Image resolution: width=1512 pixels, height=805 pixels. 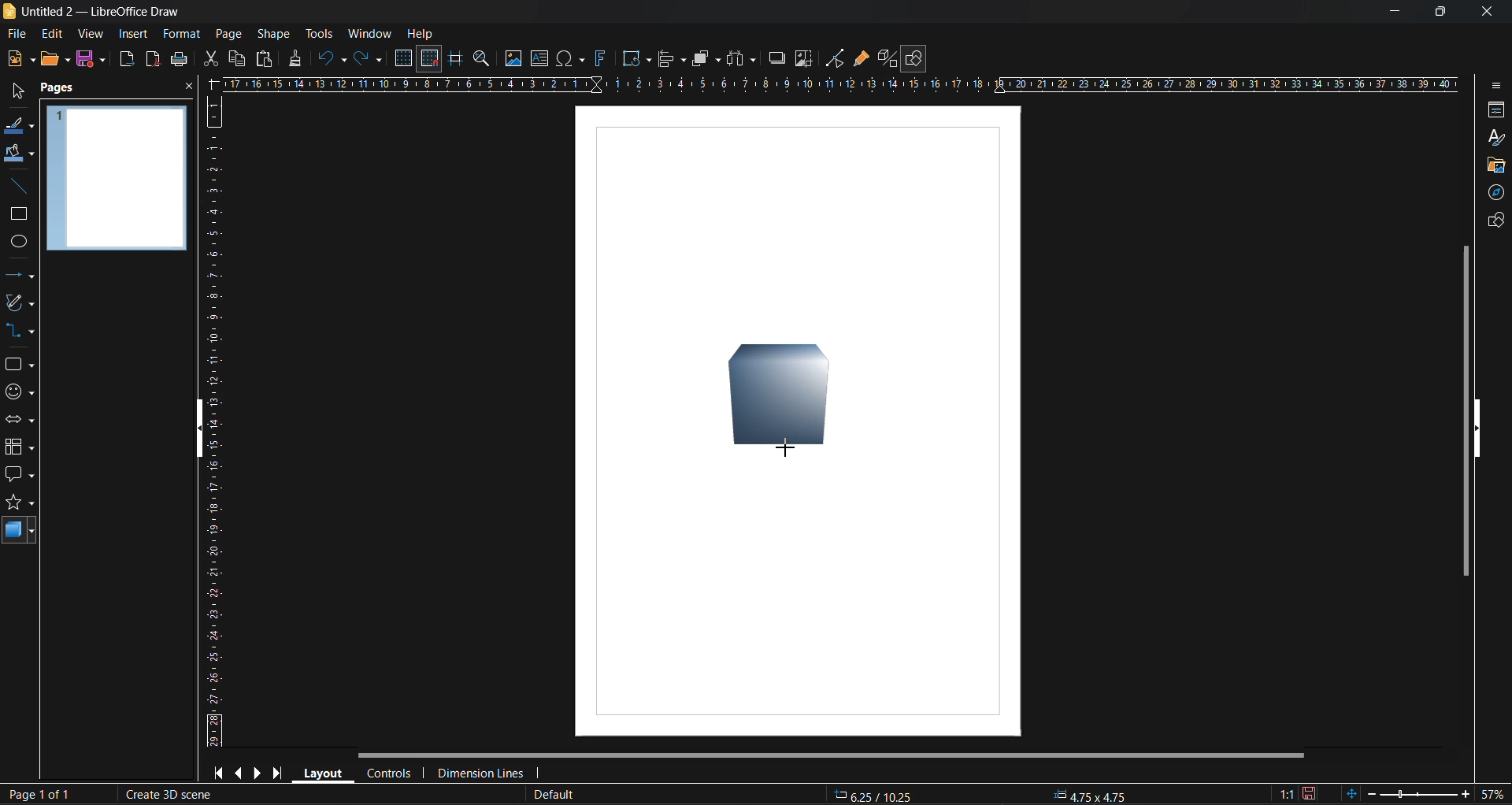 I want to click on stars and banners, so click(x=19, y=506).